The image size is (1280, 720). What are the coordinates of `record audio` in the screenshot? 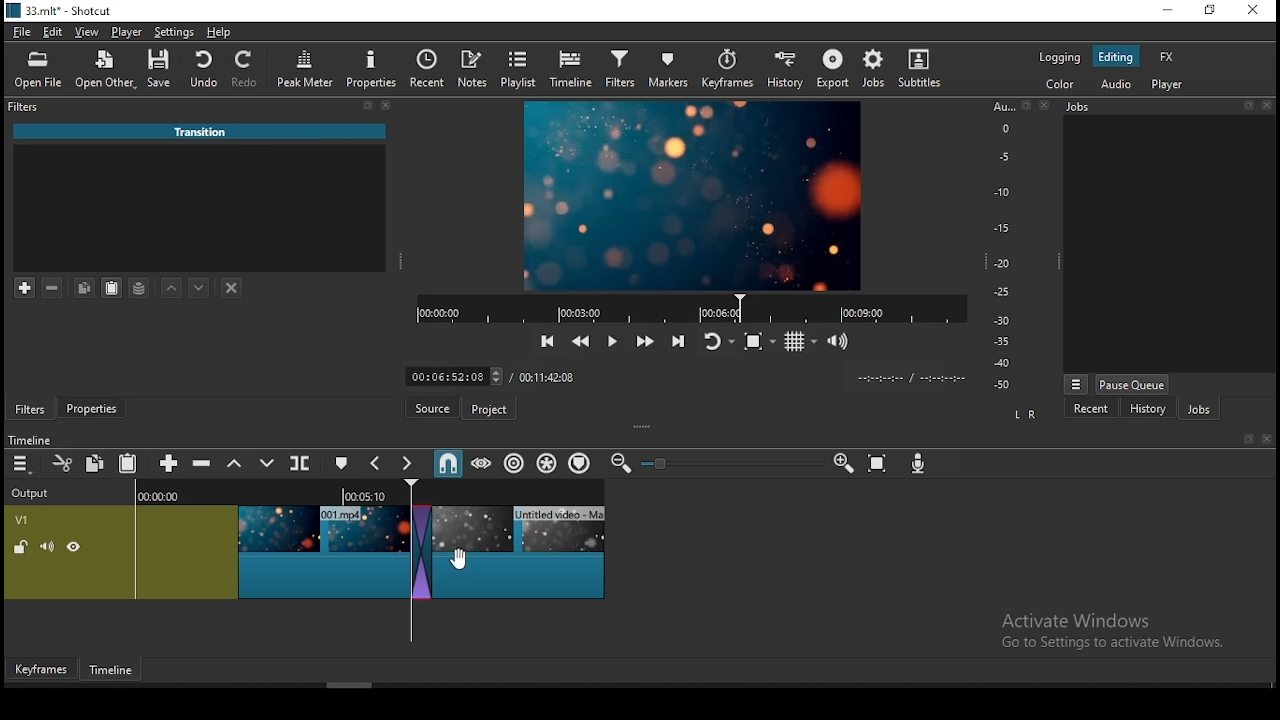 It's located at (920, 466).